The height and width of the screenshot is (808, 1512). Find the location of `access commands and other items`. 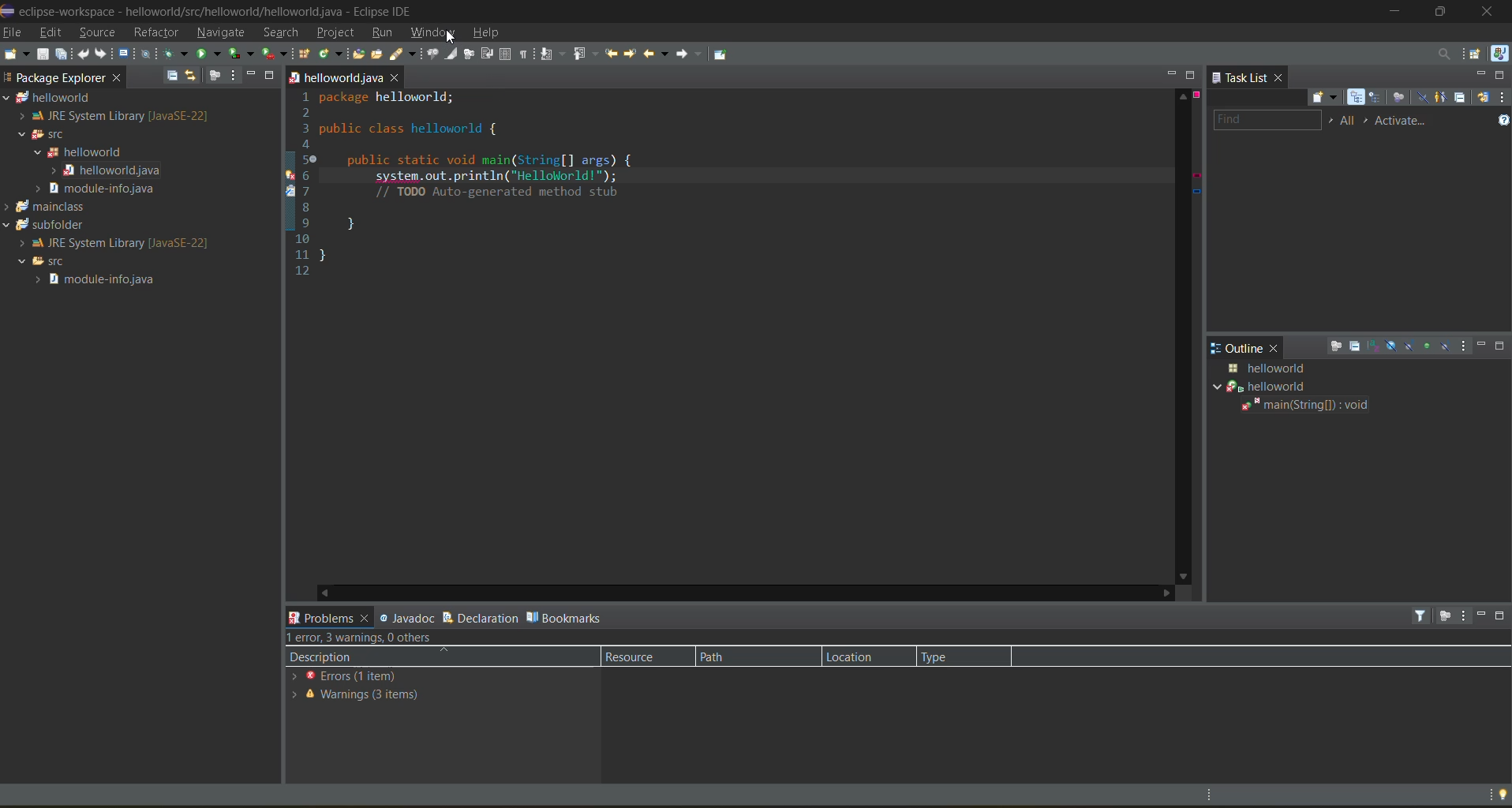

access commands and other items is located at coordinates (1449, 54).